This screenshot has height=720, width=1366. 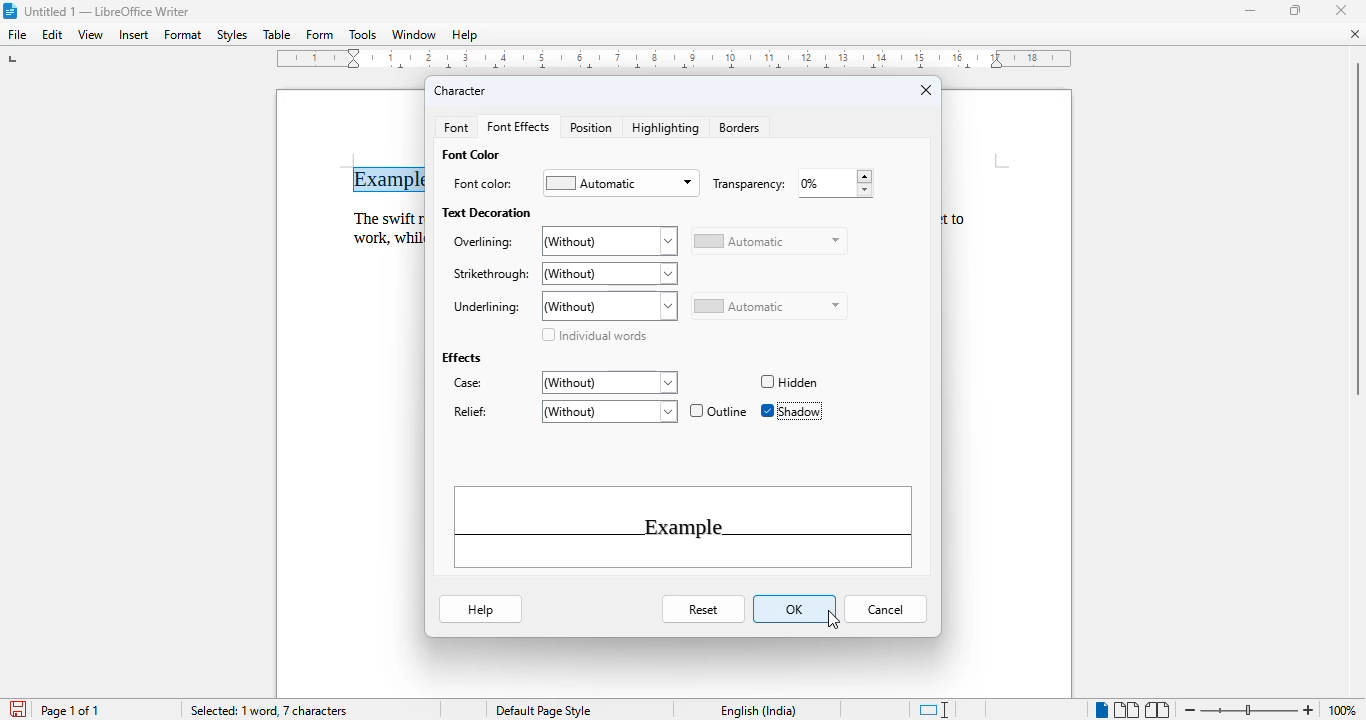 I want to click on shadow effect selected, so click(x=790, y=411).